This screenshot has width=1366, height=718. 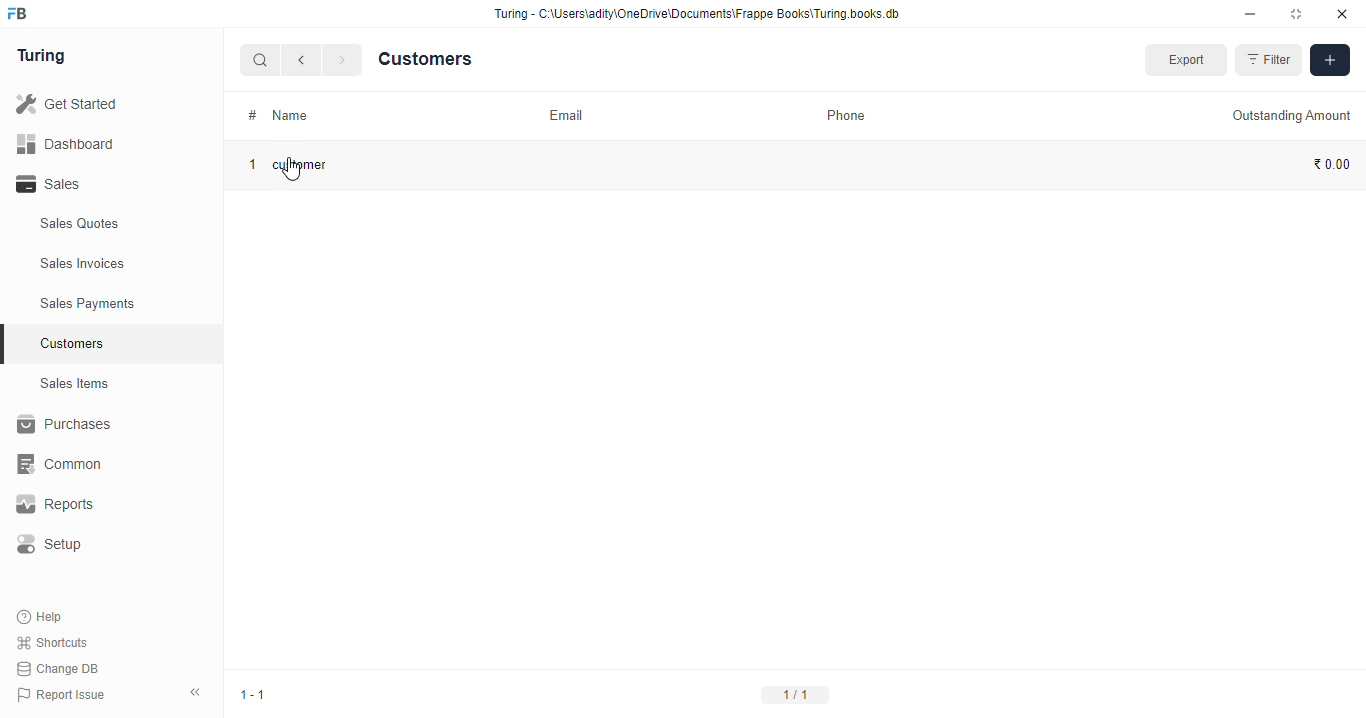 What do you see at coordinates (100, 464) in the screenshot?
I see `‘Common` at bounding box center [100, 464].